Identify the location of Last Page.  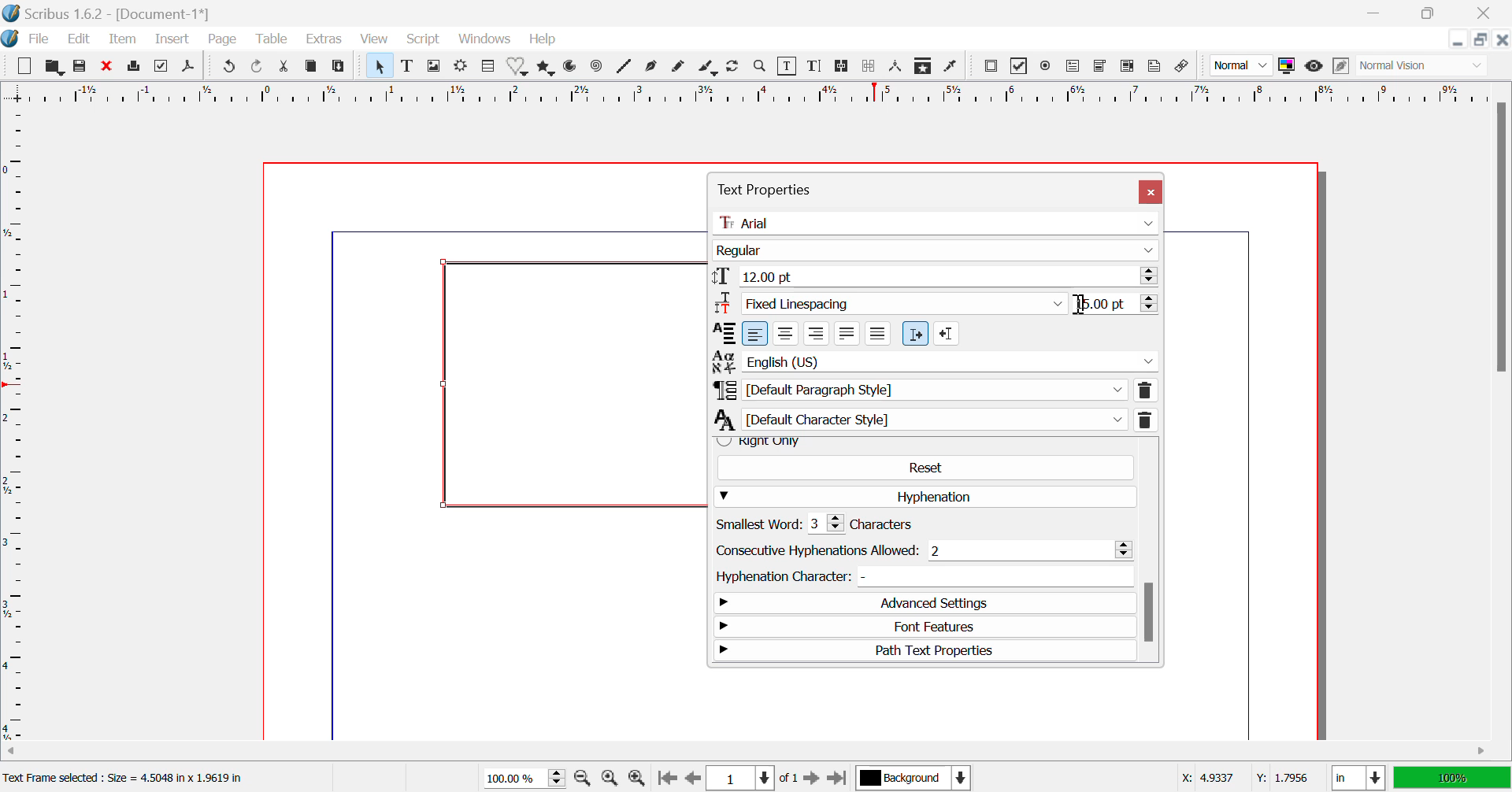
(836, 777).